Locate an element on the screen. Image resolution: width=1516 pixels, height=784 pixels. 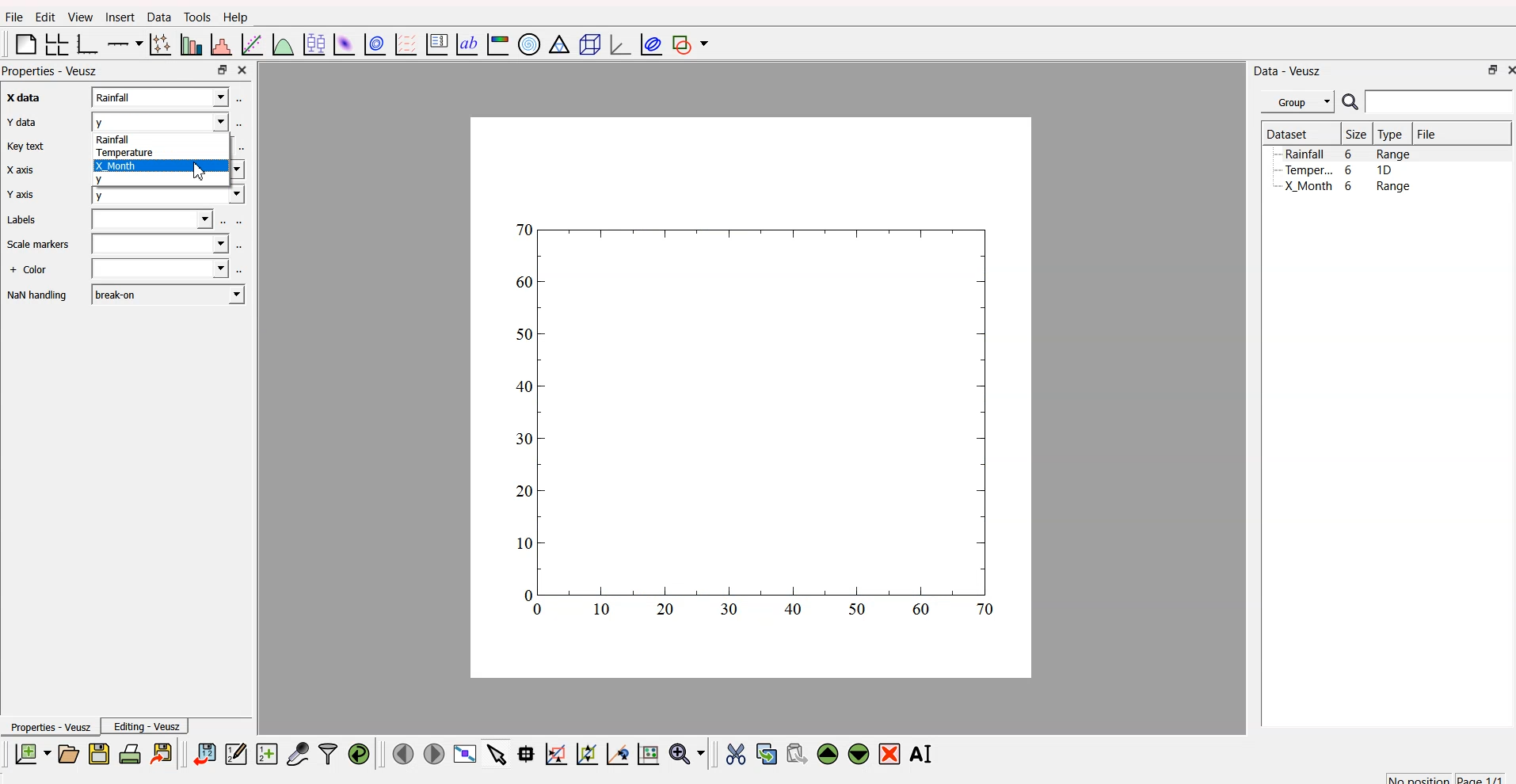
y is located at coordinates (166, 196).